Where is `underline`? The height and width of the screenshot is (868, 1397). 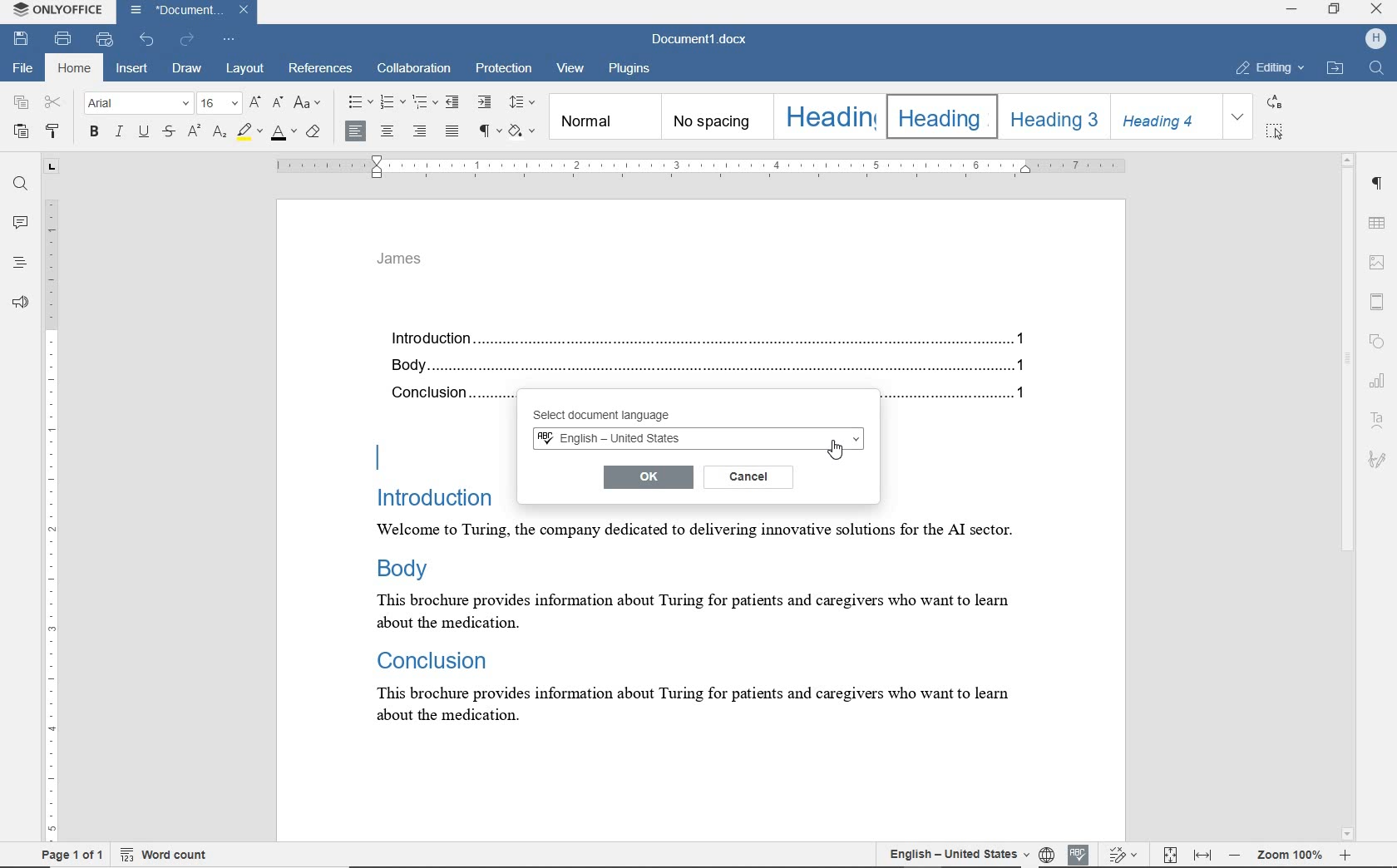 underline is located at coordinates (146, 133).